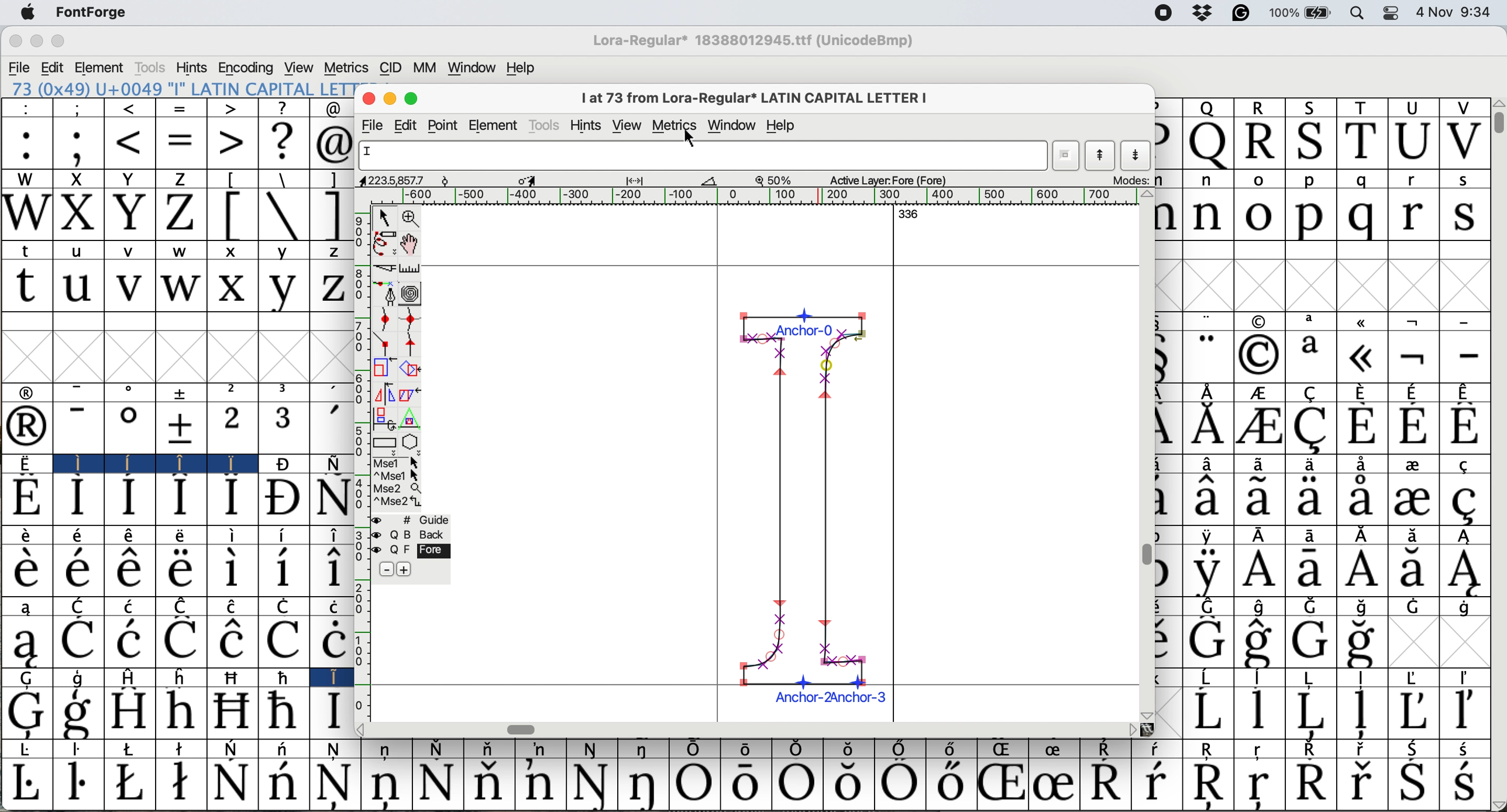 The width and height of the screenshot is (1507, 812). I want to click on , so click(1129, 729).